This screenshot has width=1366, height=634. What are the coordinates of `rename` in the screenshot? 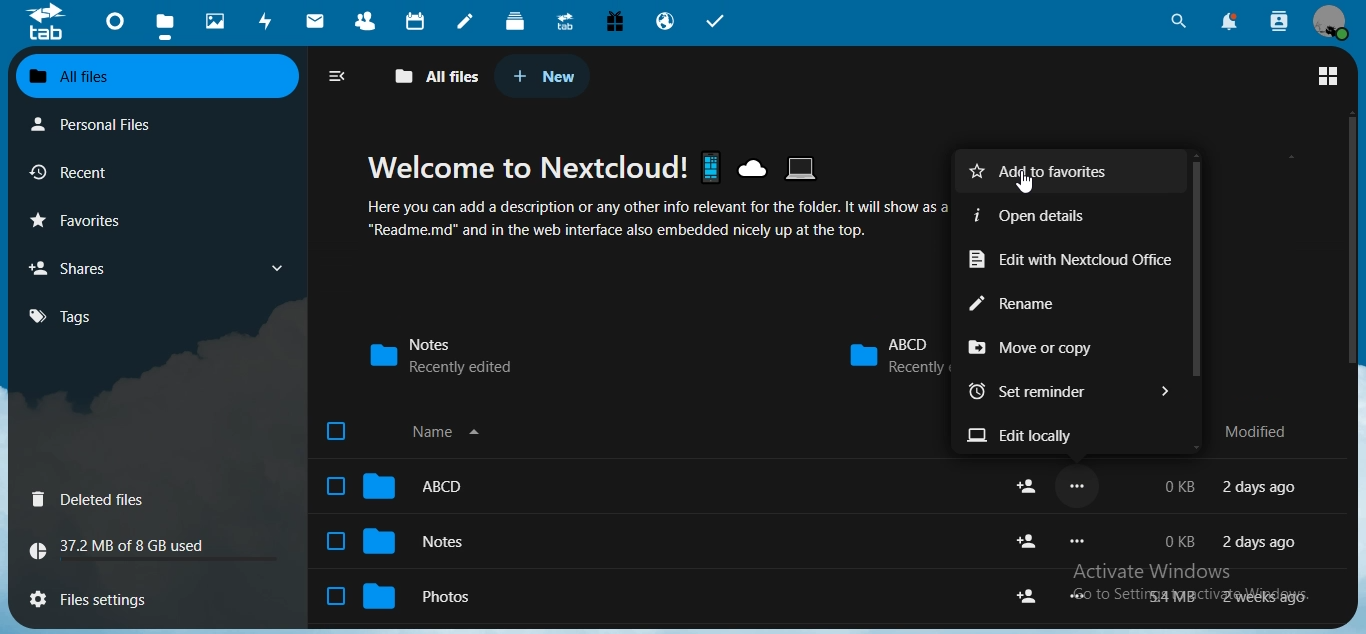 It's located at (1040, 303).